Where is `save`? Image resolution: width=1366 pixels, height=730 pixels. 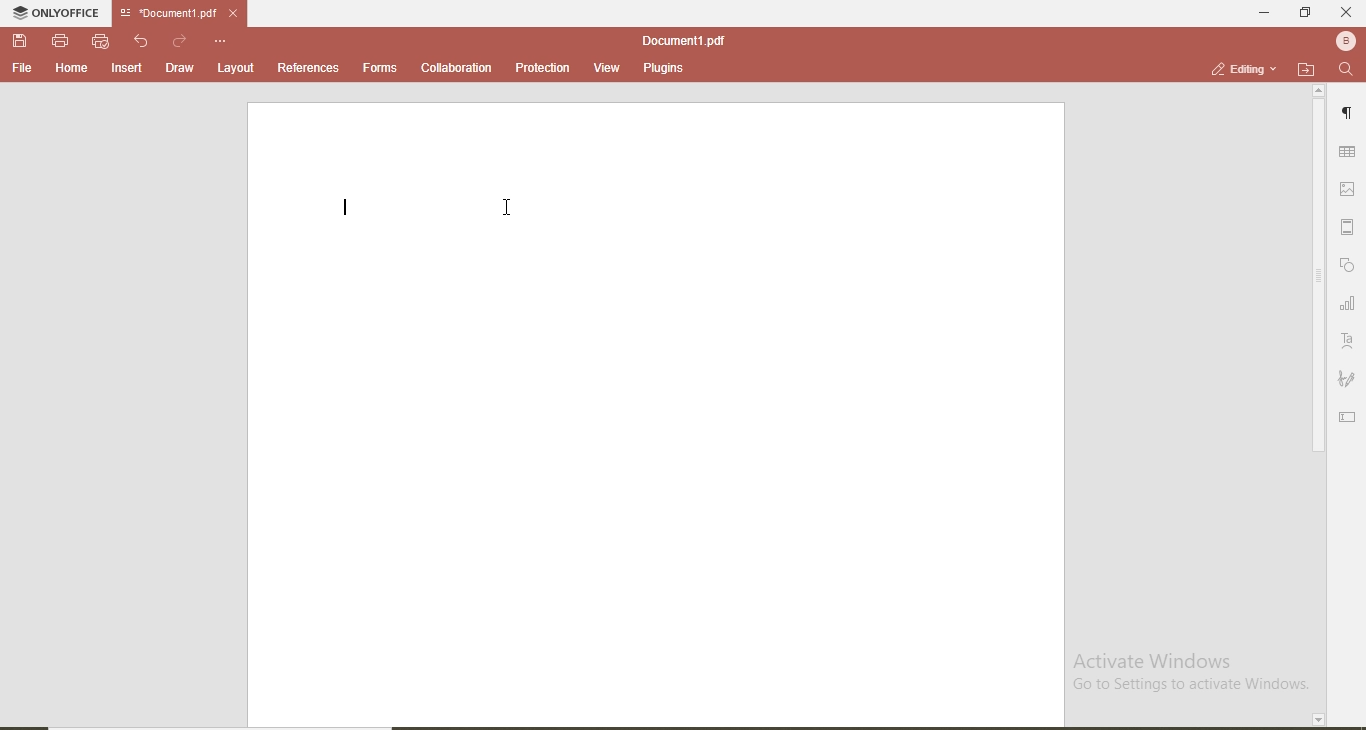 save is located at coordinates (17, 39).